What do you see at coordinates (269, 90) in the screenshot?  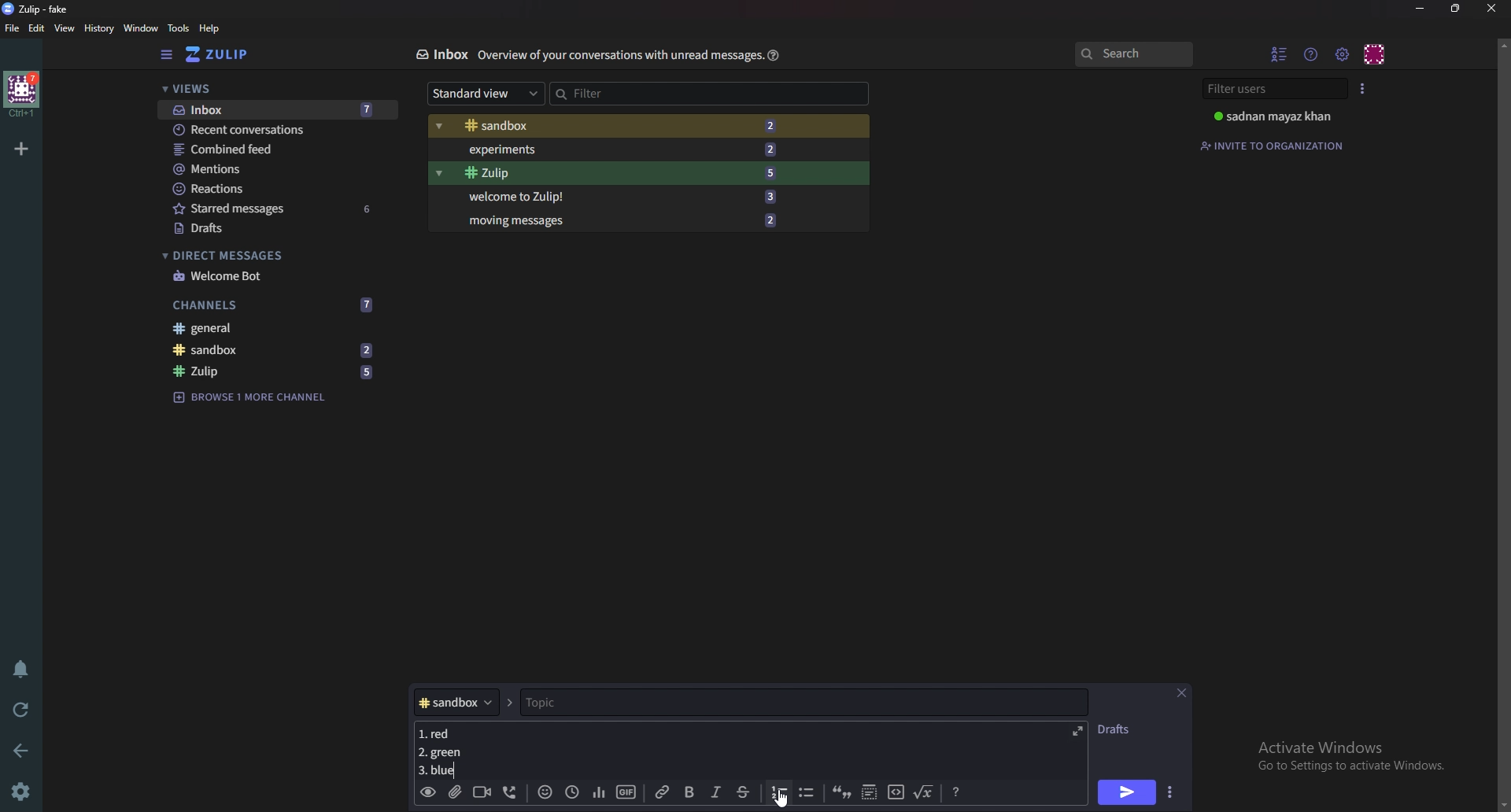 I see `Views` at bounding box center [269, 90].